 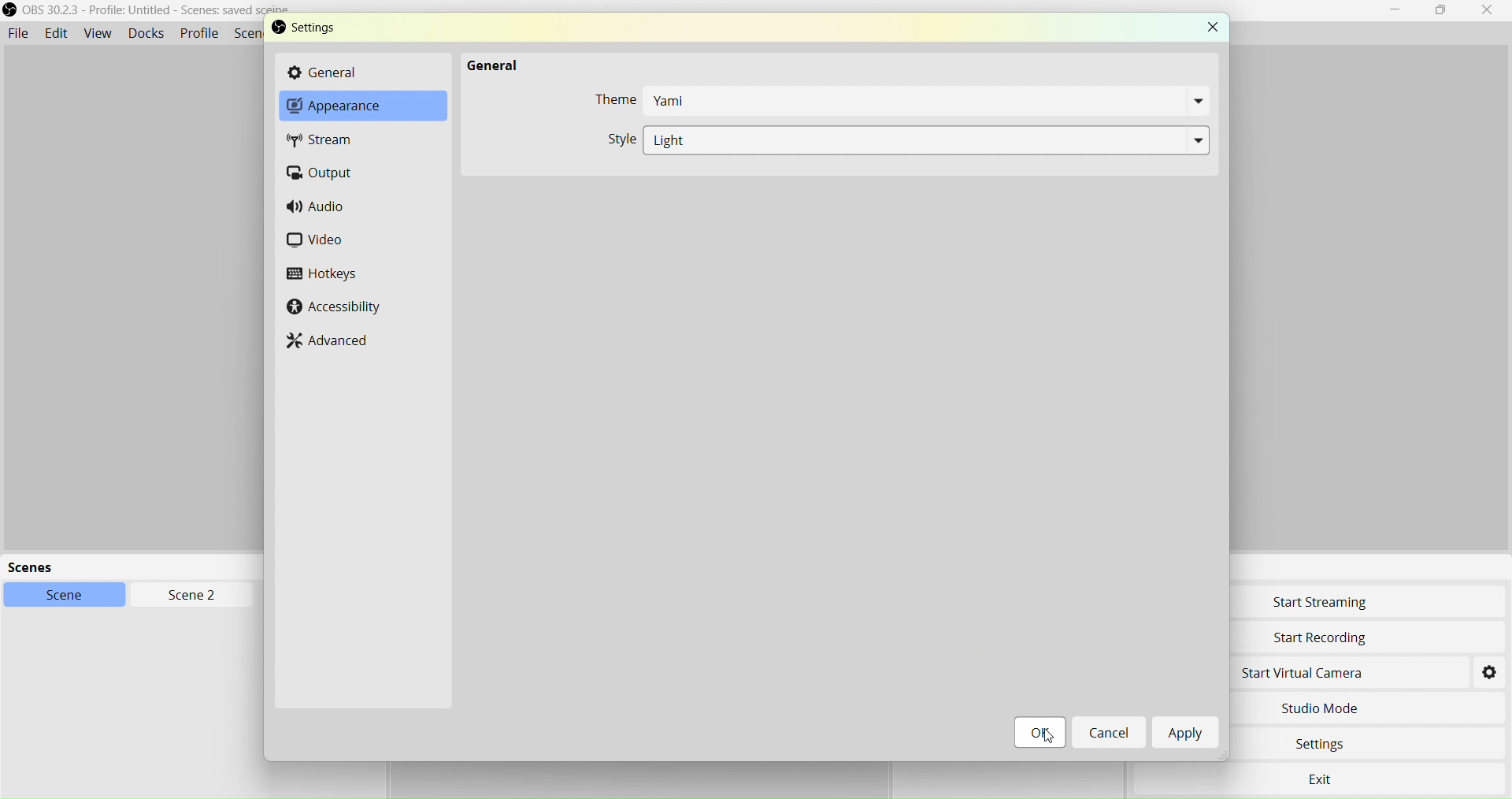 I want to click on Scenes, so click(x=173, y=566).